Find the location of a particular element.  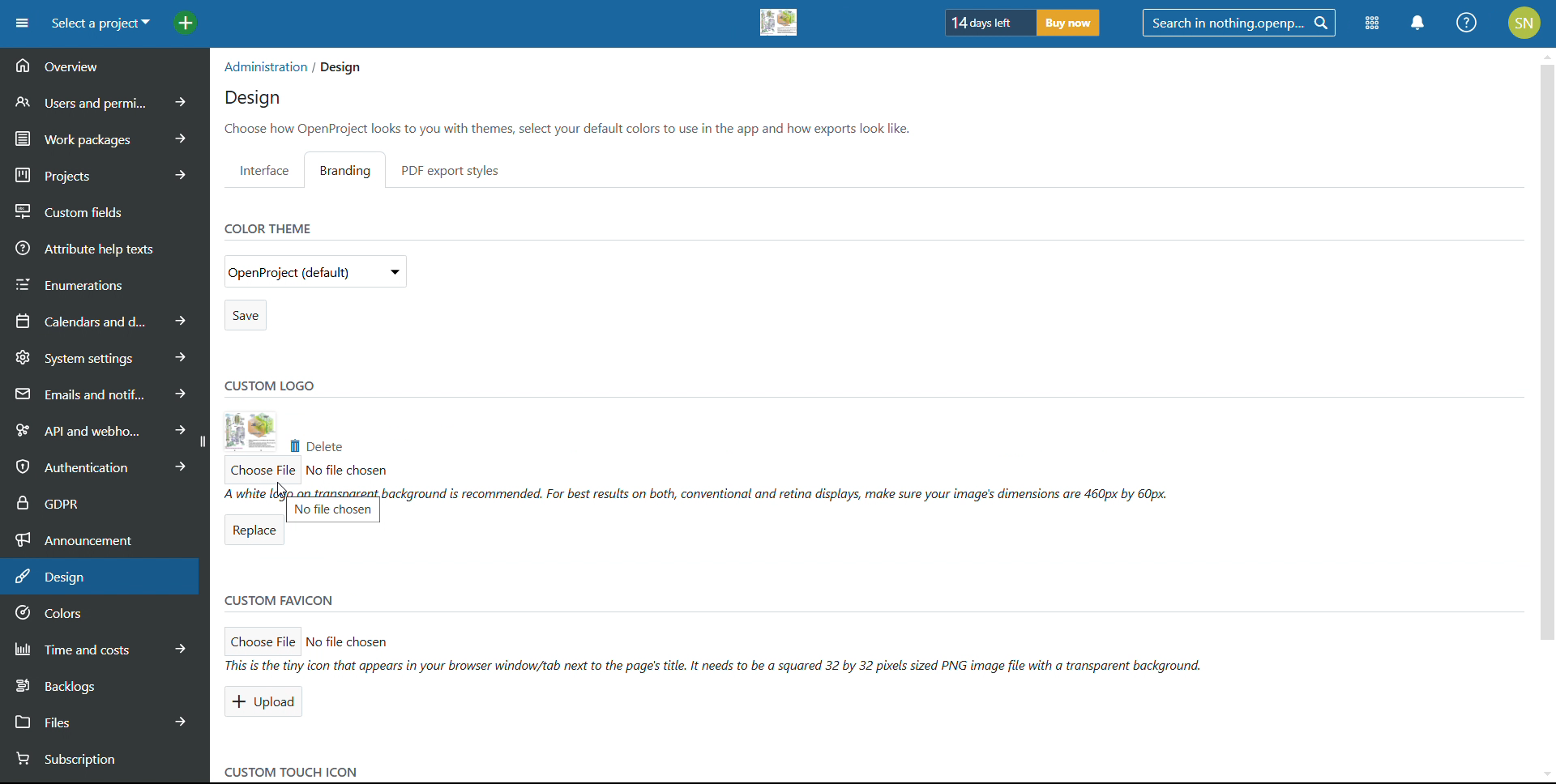

authentication is located at coordinates (96, 467).